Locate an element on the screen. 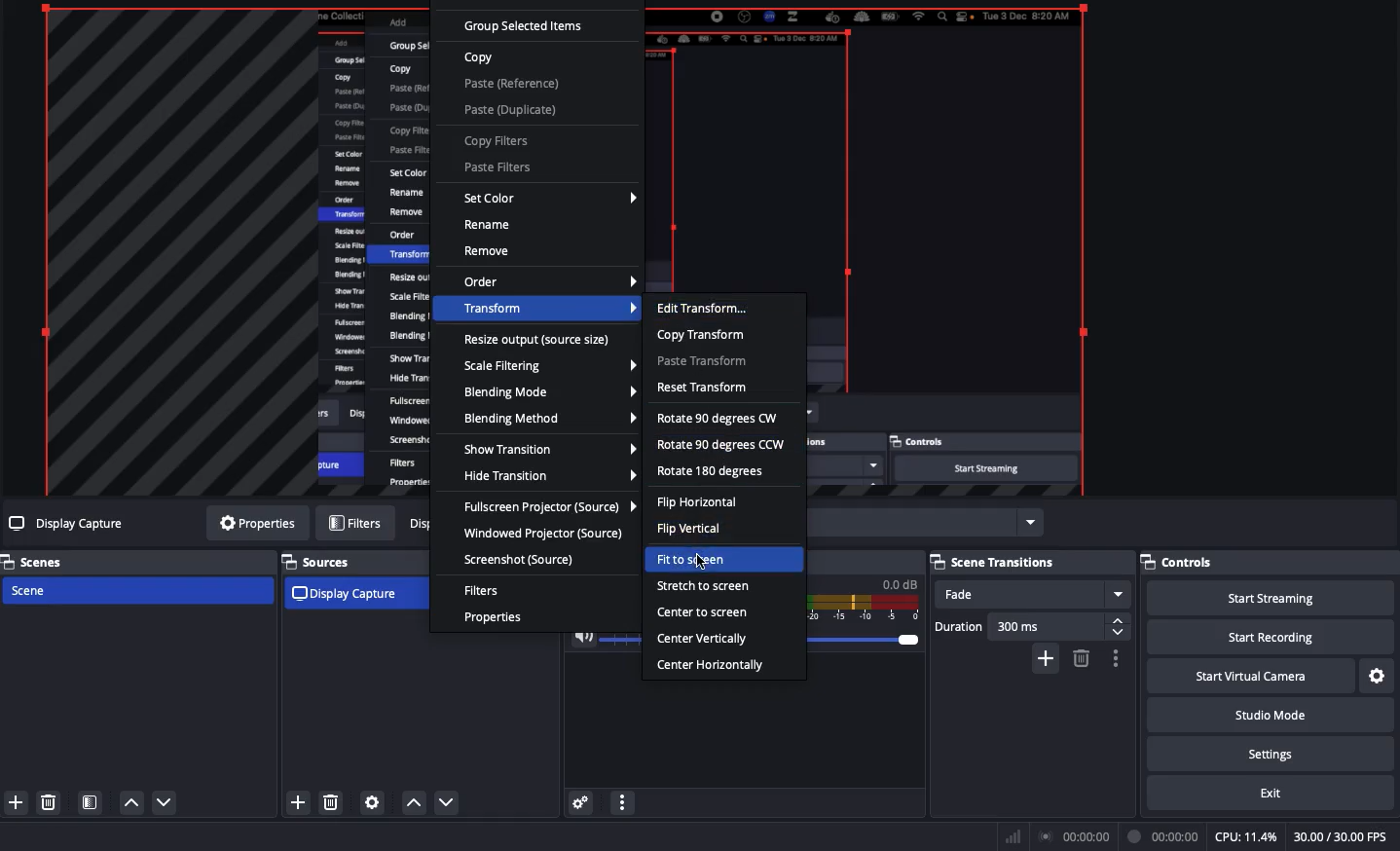 The width and height of the screenshot is (1400, 851). Studio mode is located at coordinates (1273, 716).